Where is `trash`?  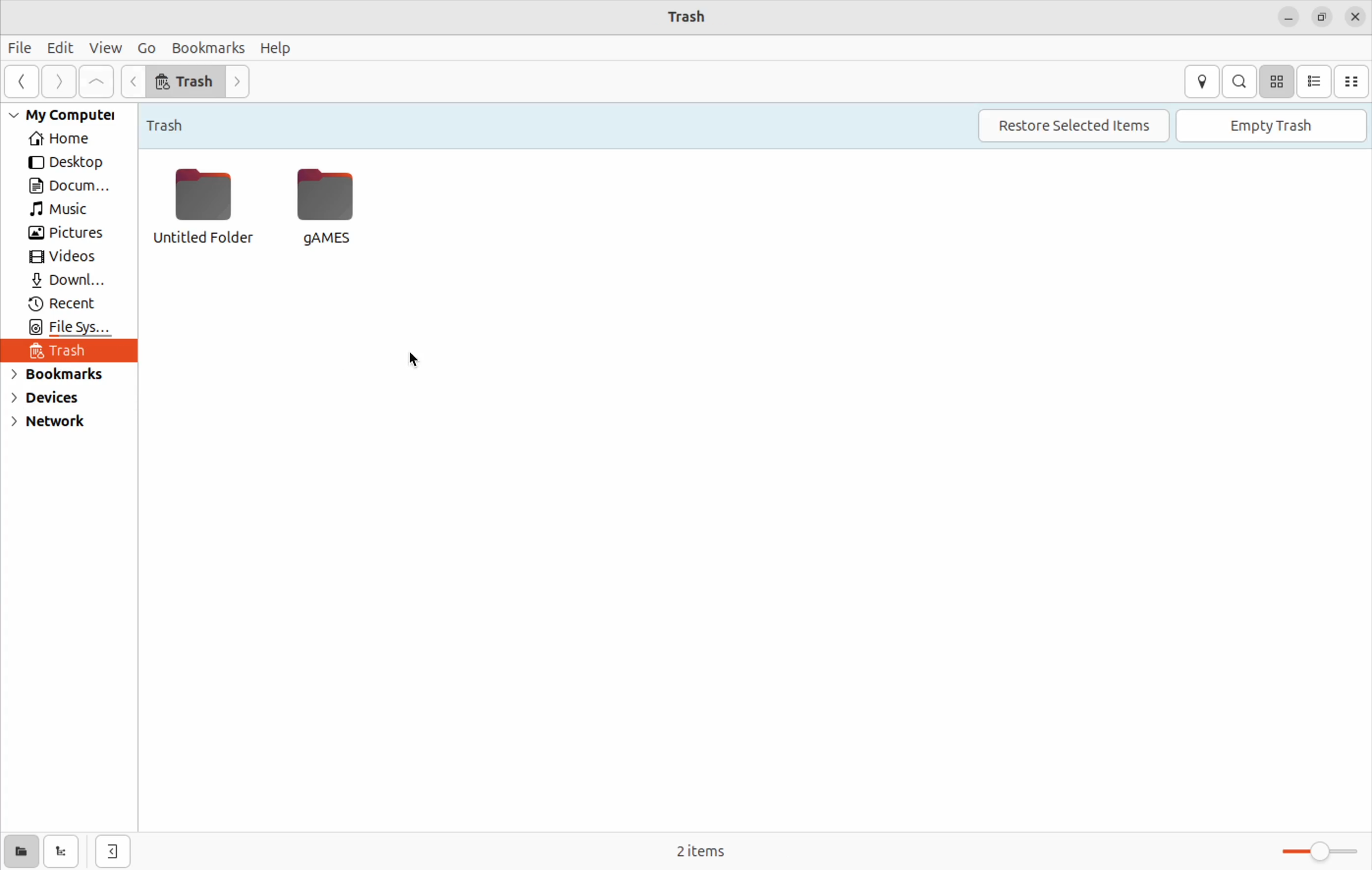
trash is located at coordinates (67, 354).